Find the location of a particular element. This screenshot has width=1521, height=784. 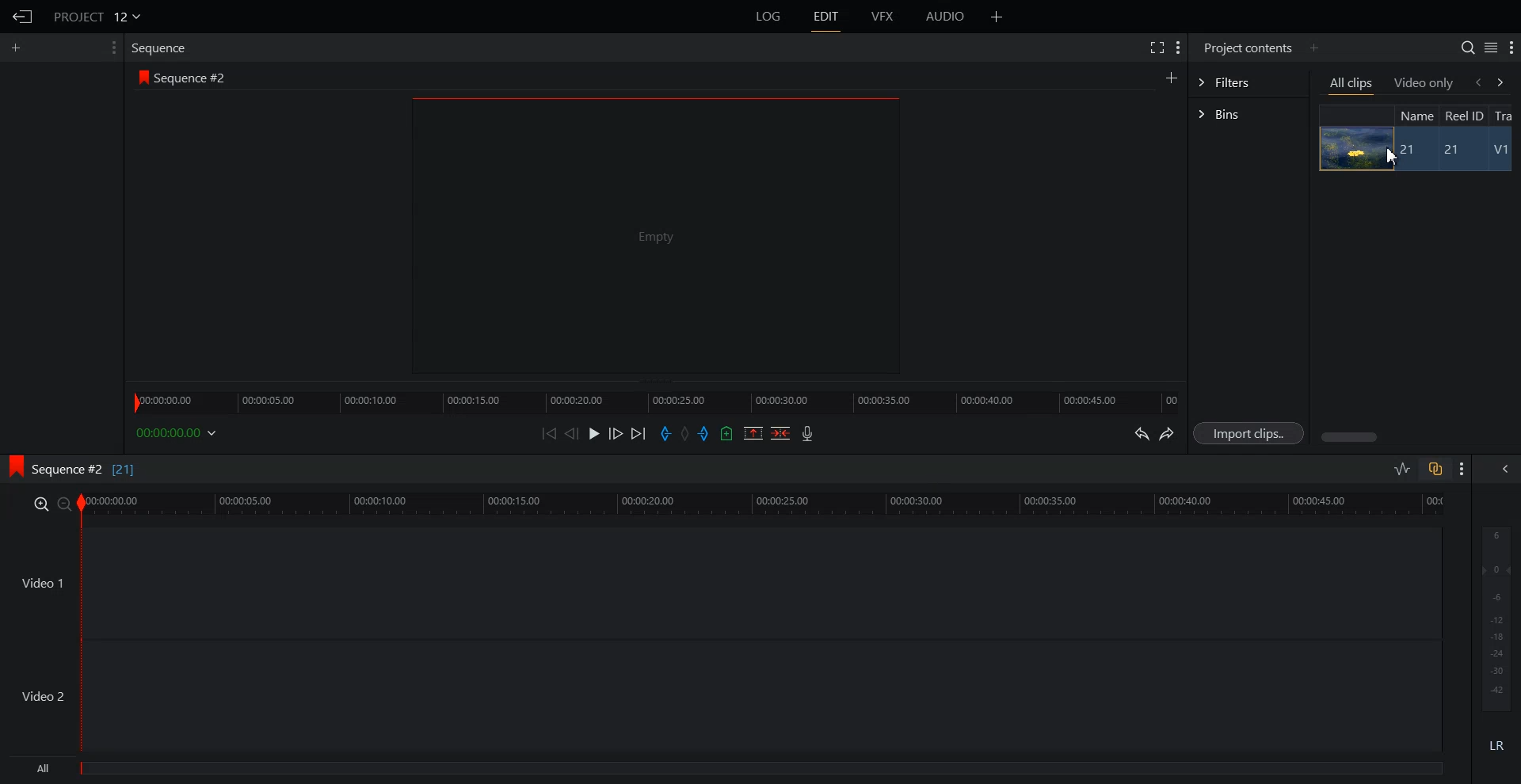

logo is located at coordinates (140, 77).